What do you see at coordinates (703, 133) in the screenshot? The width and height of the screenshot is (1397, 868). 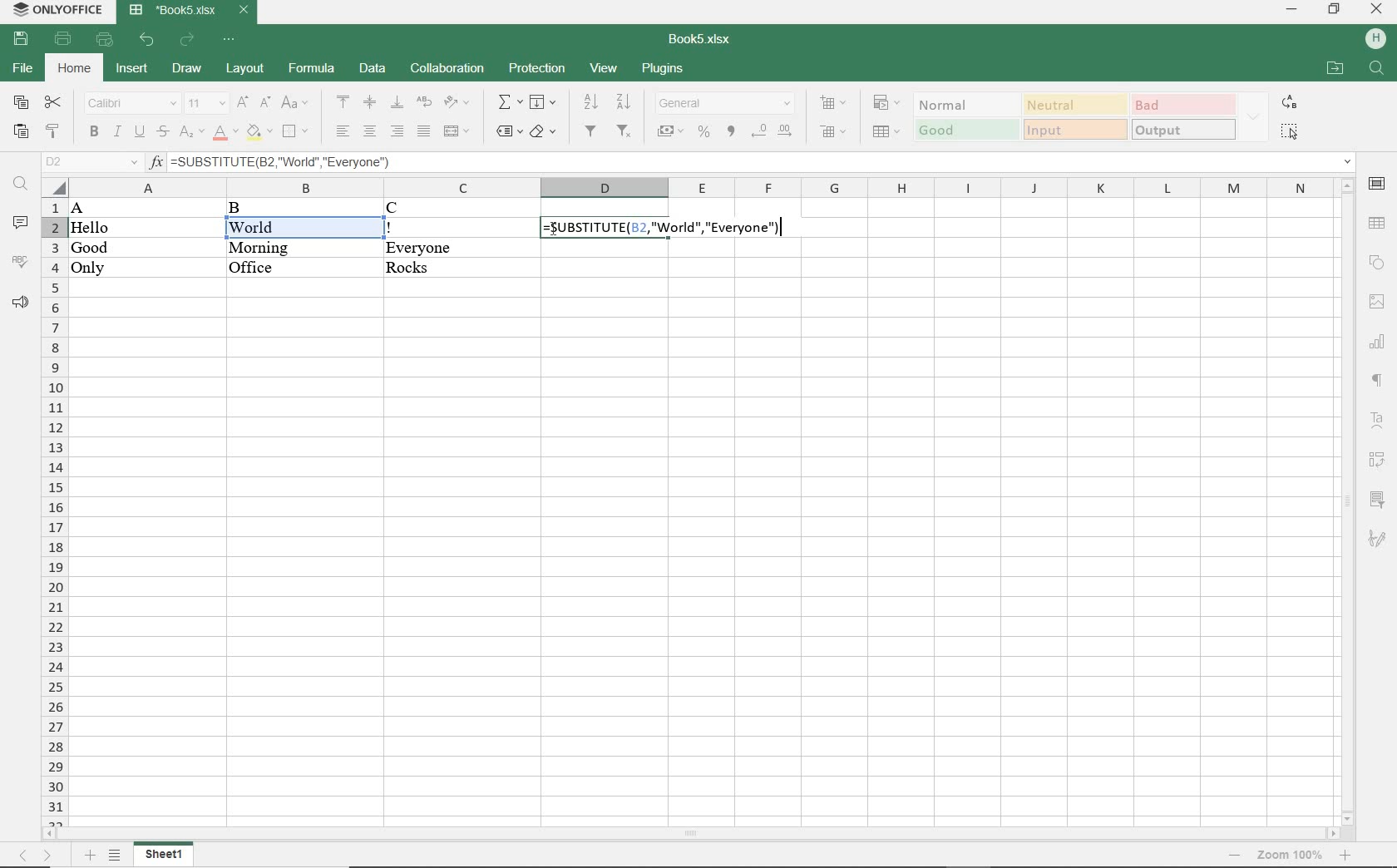 I see `percent style` at bounding box center [703, 133].